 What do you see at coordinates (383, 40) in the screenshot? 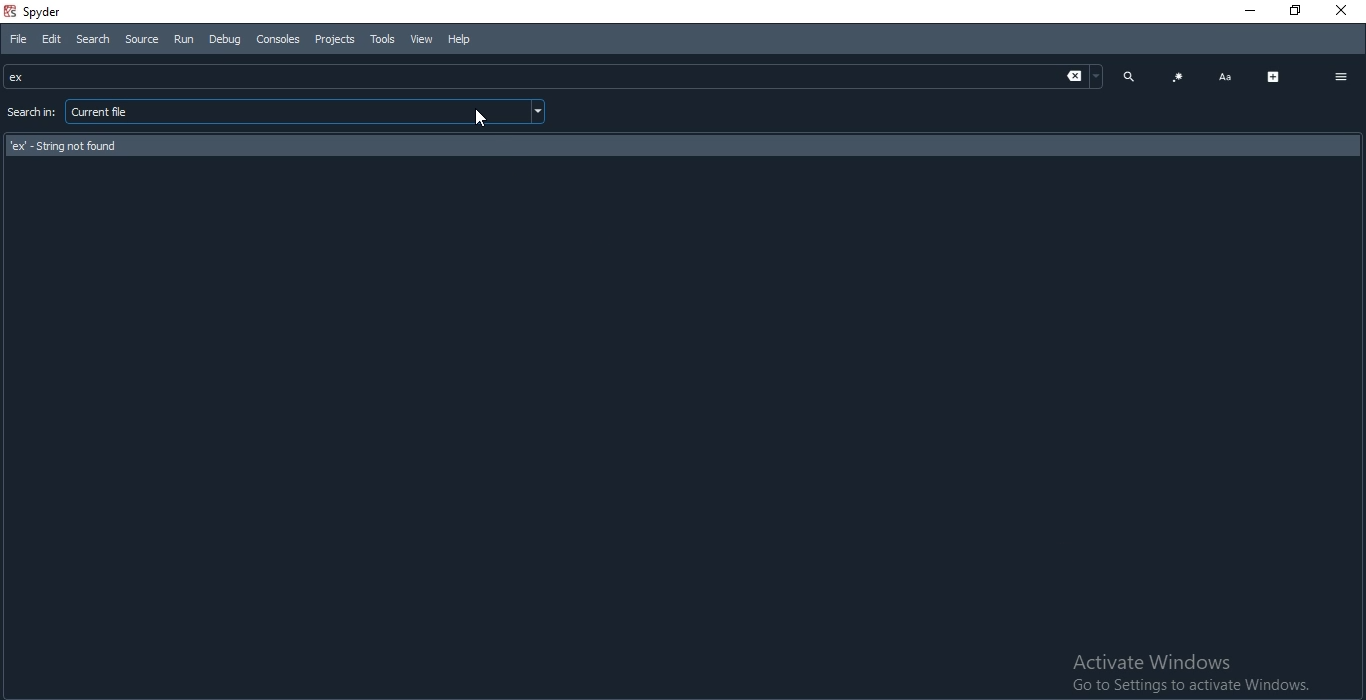
I see `Tools` at bounding box center [383, 40].